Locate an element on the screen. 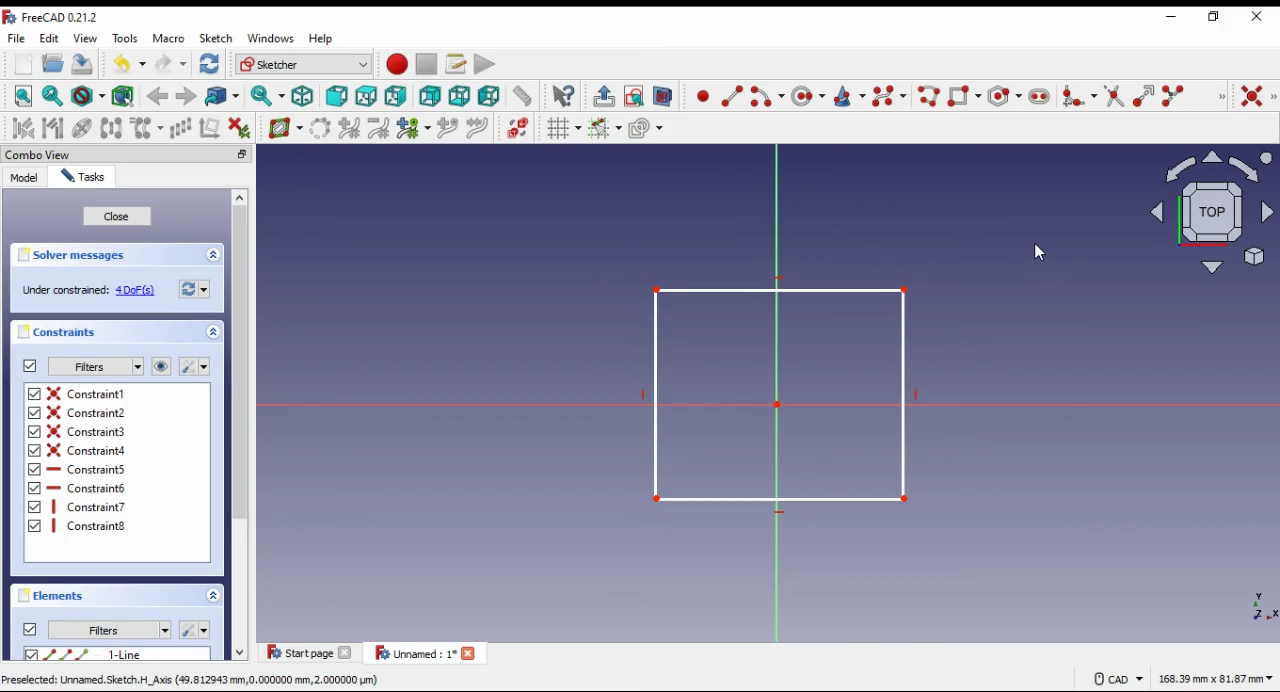 Image resolution: width=1280 pixels, height=692 pixels. model is located at coordinates (24, 177).